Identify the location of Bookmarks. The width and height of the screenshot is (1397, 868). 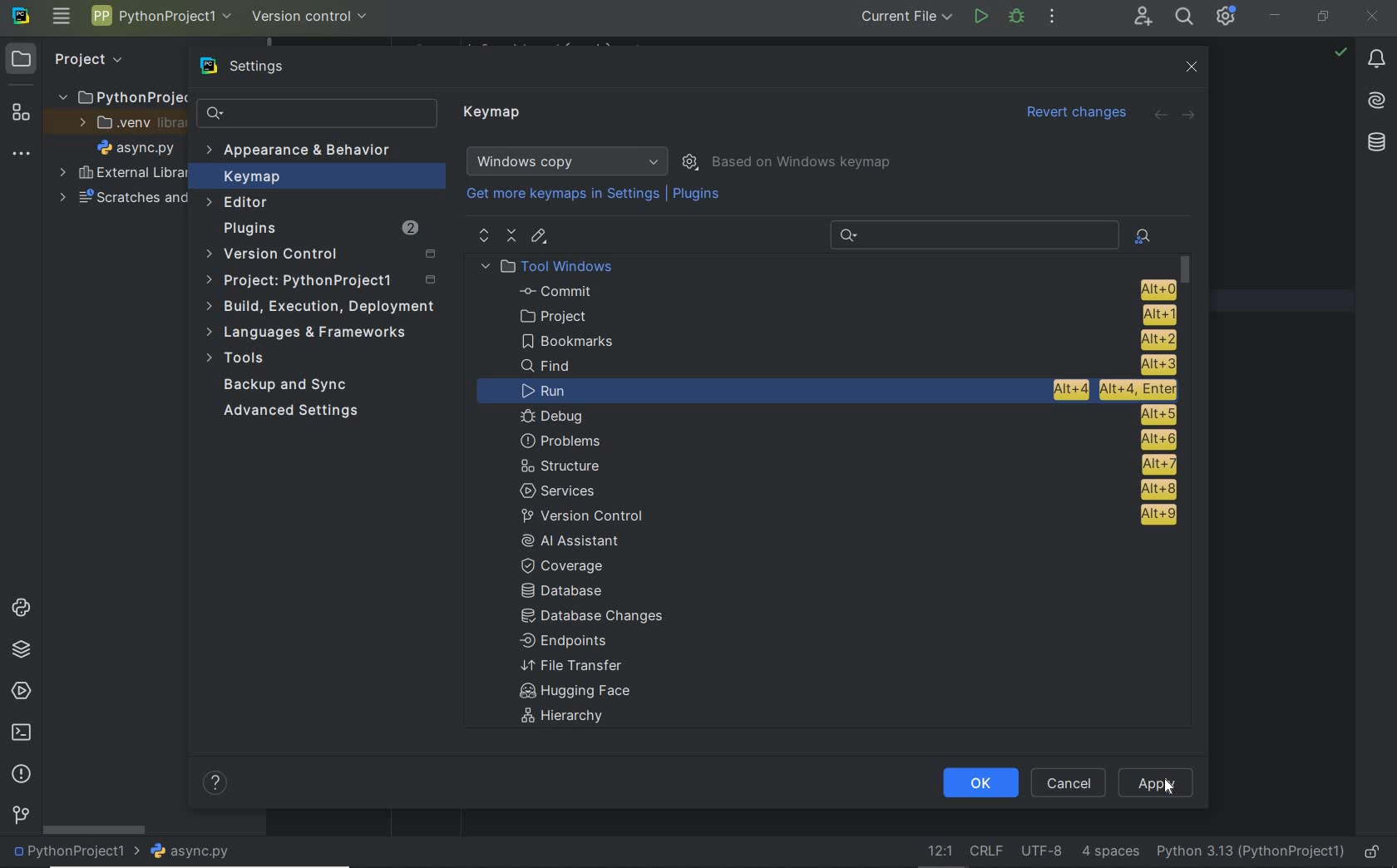
(846, 340).